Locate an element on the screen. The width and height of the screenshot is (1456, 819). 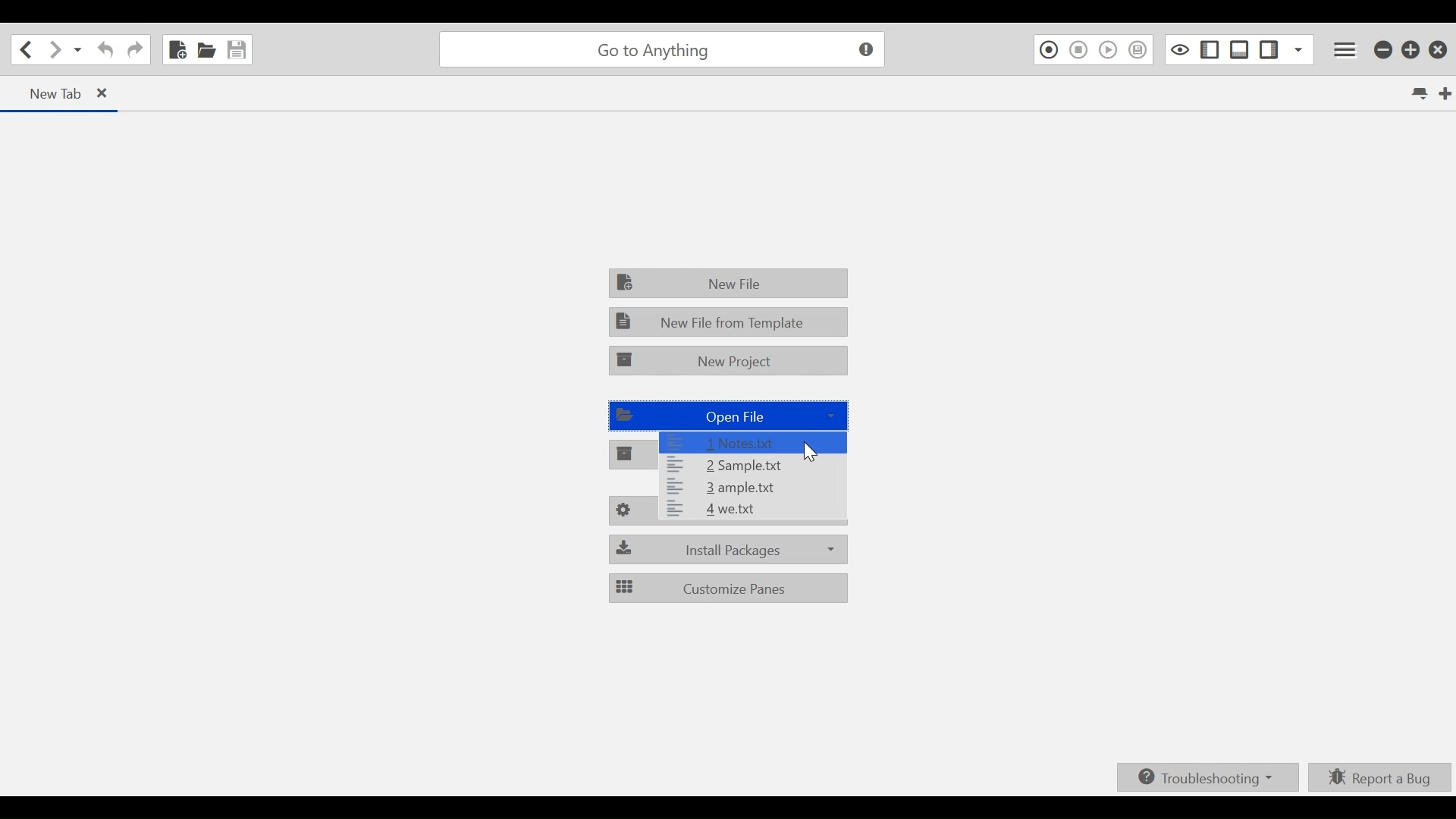
Undo is located at coordinates (106, 49).